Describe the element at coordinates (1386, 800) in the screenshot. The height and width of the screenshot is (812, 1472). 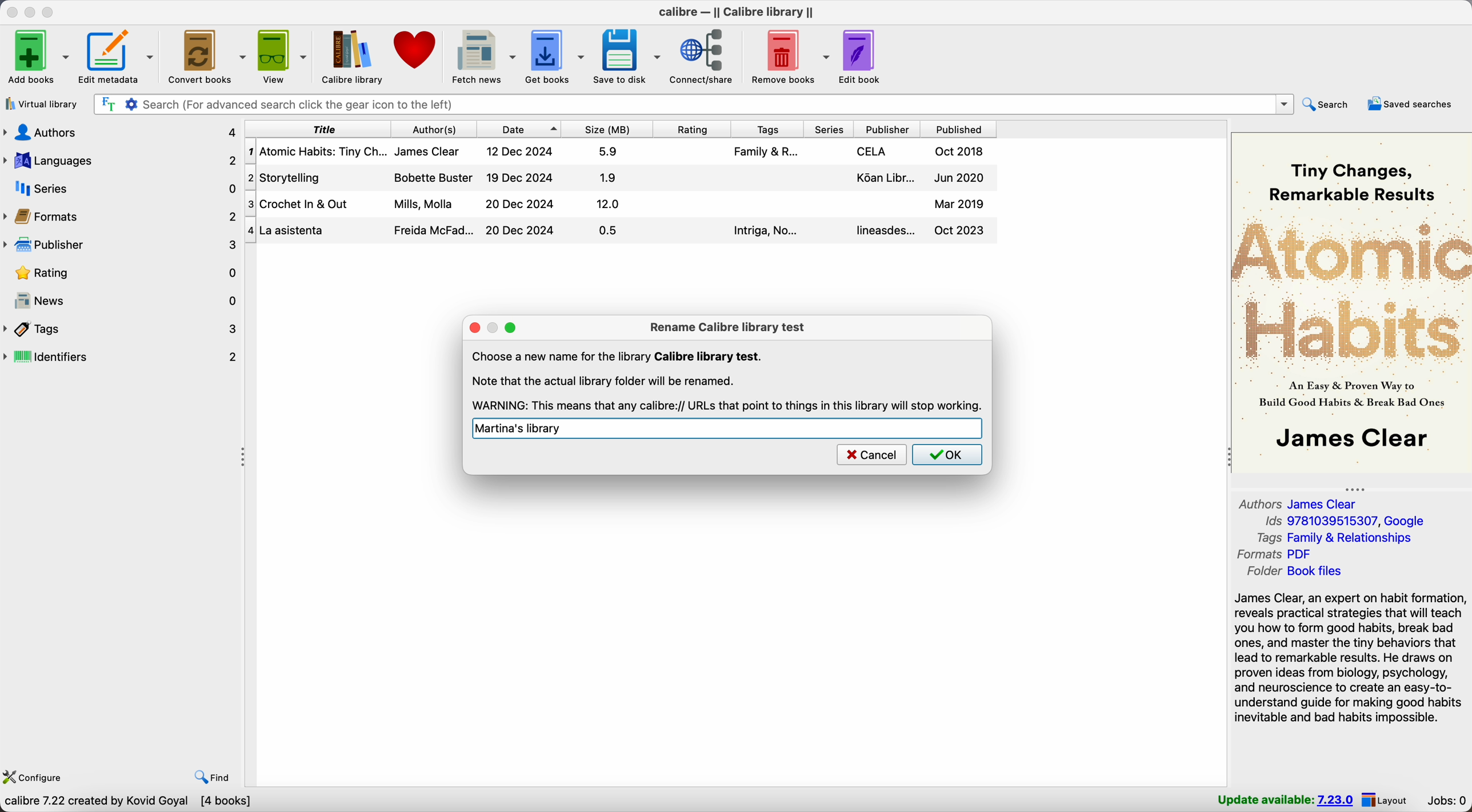
I see `layout` at that location.